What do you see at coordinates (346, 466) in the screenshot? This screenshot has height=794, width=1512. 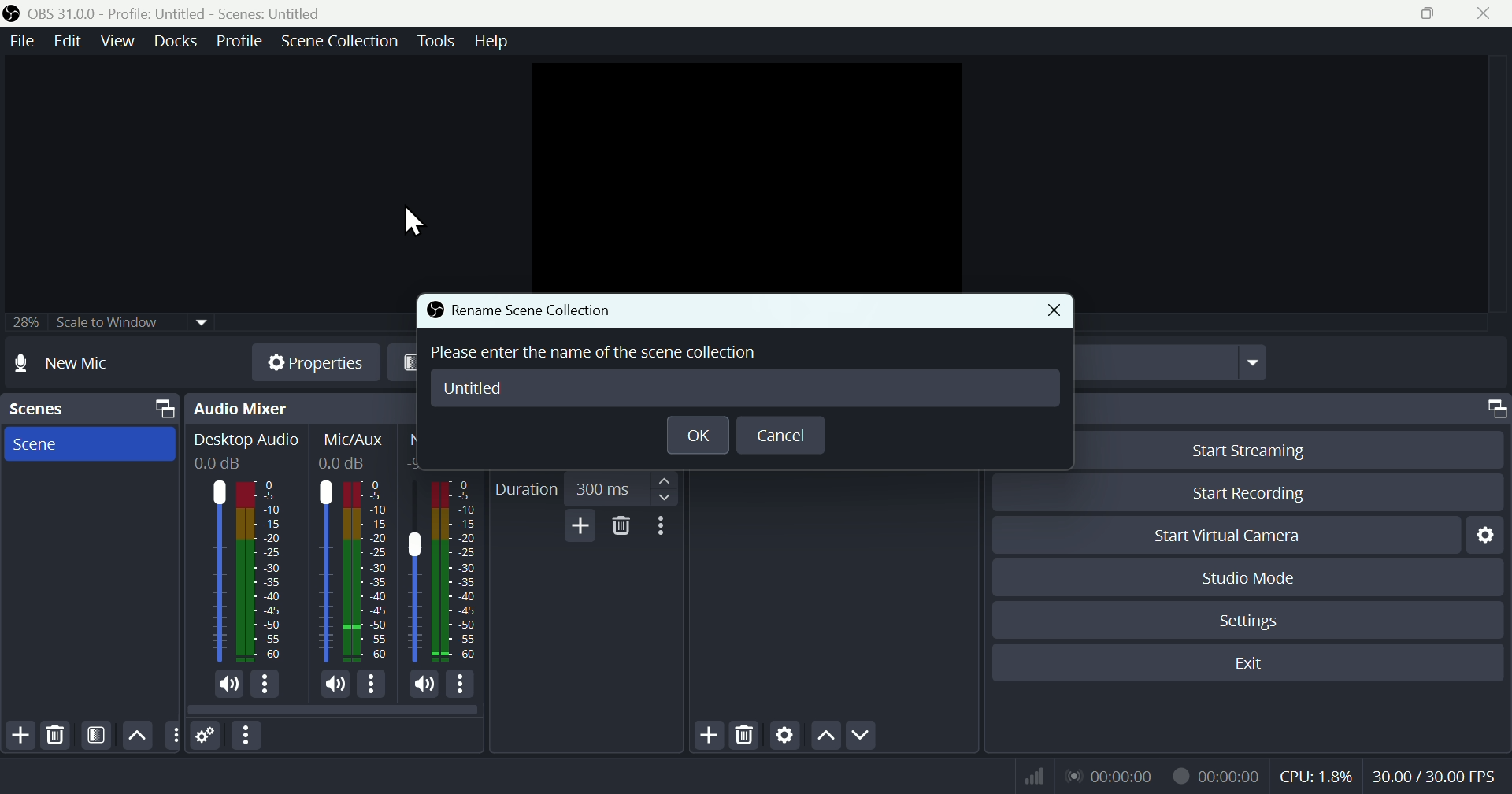 I see `0.0dB` at bounding box center [346, 466].